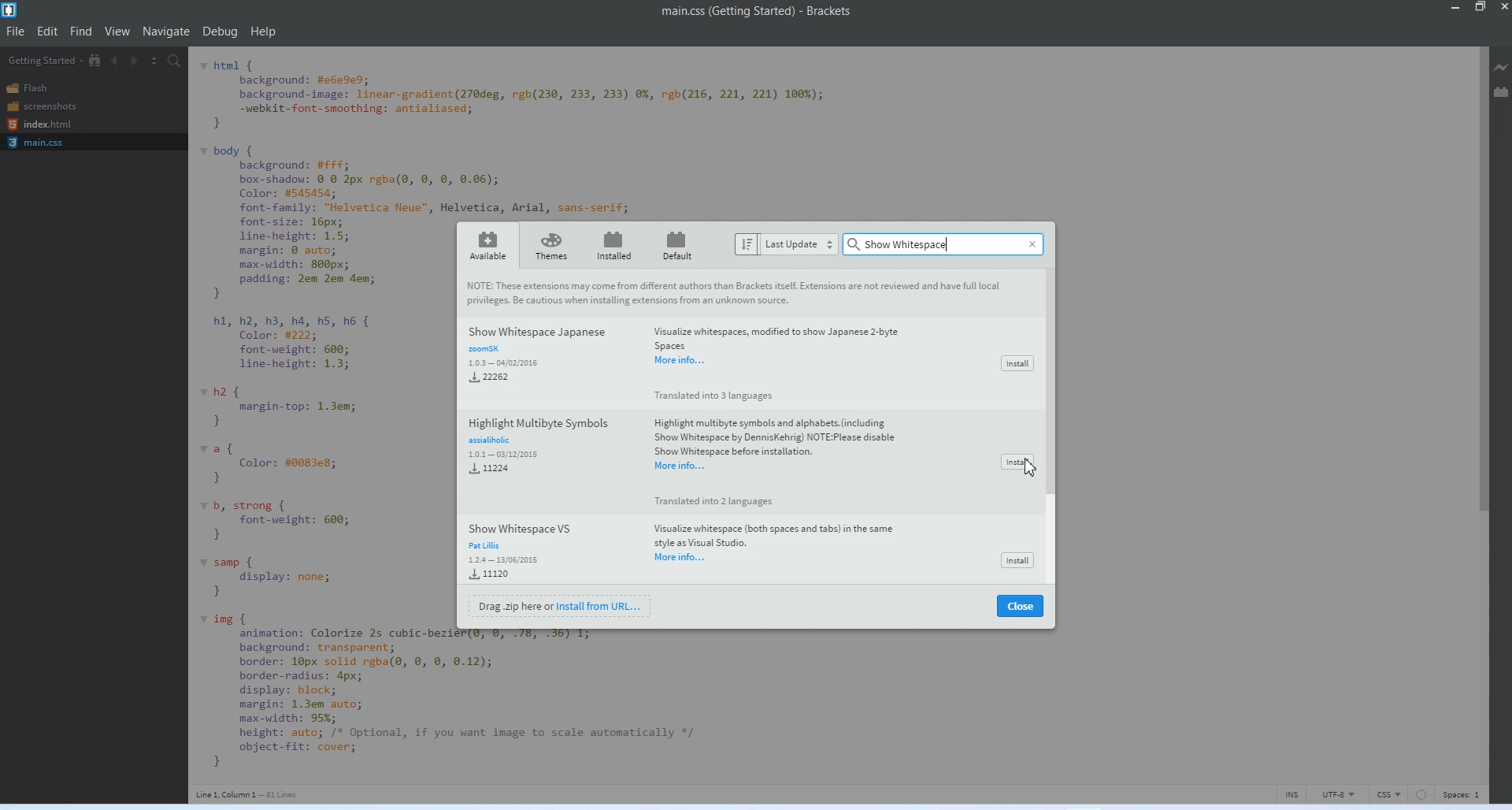 The width and height of the screenshot is (1512, 810). I want to click on Install, so click(1018, 559).